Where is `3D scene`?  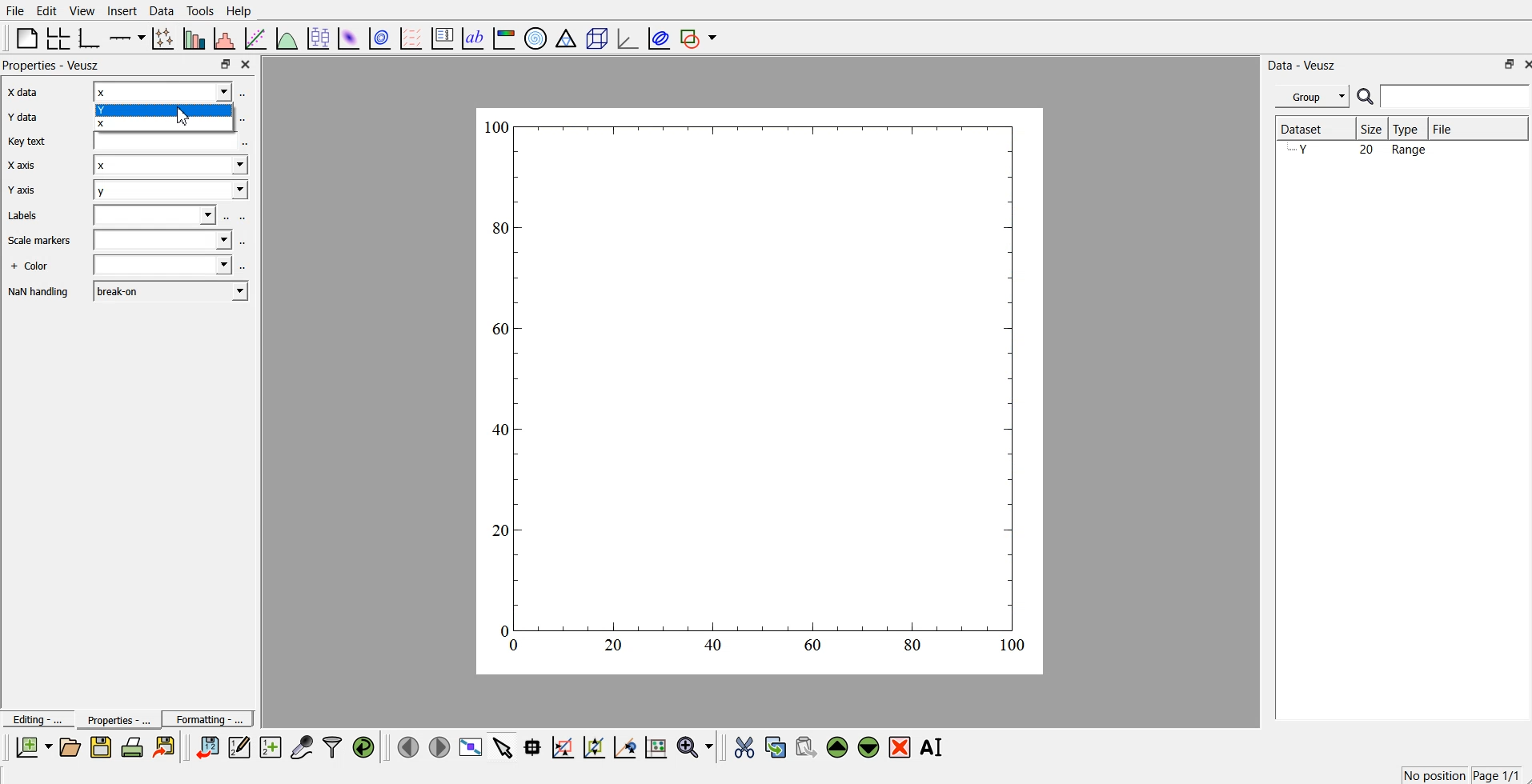 3D scene is located at coordinates (596, 37).